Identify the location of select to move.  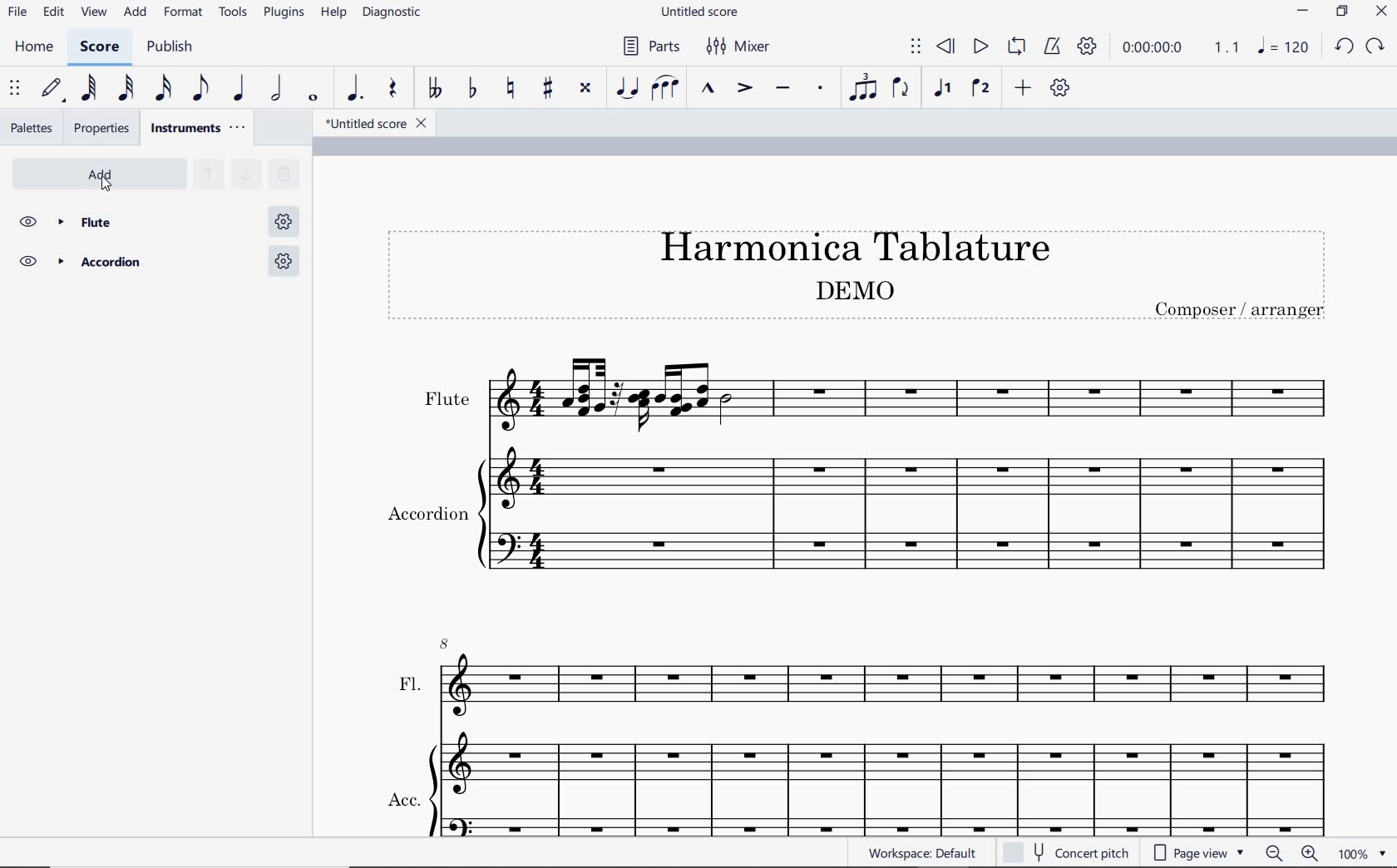
(916, 47).